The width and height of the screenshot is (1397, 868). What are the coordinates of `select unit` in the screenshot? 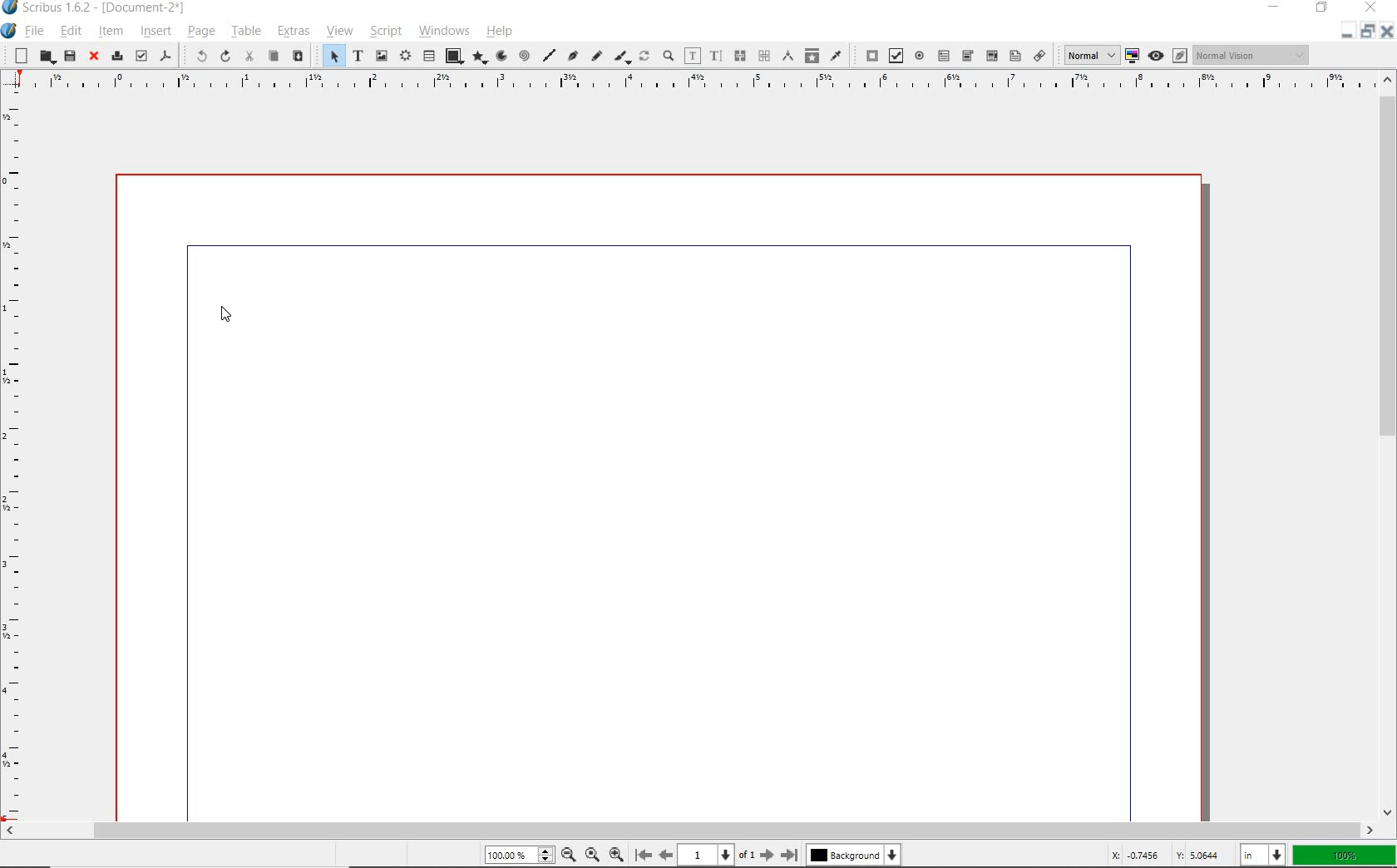 It's located at (1261, 856).